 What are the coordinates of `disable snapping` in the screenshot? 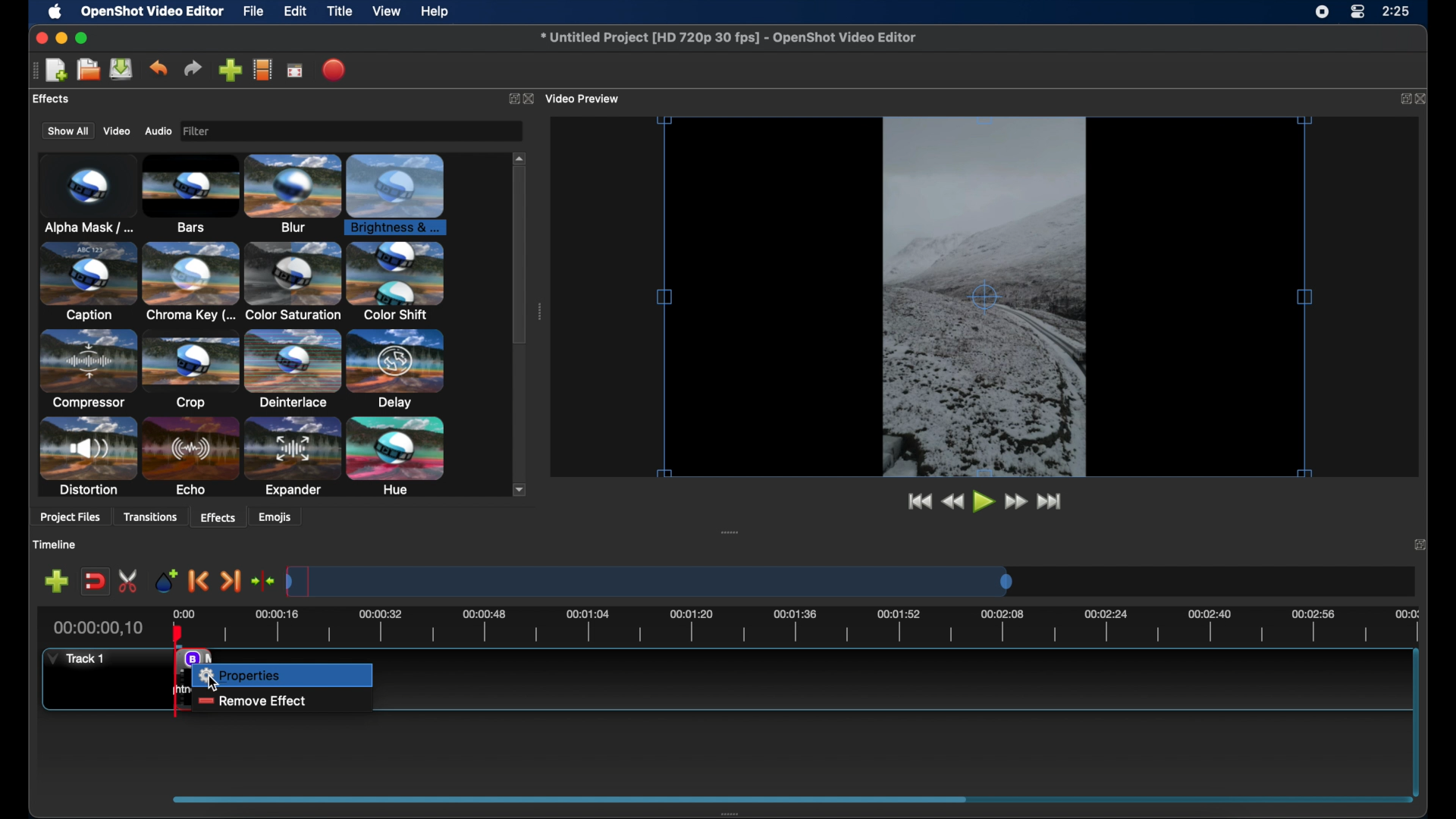 It's located at (96, 582).